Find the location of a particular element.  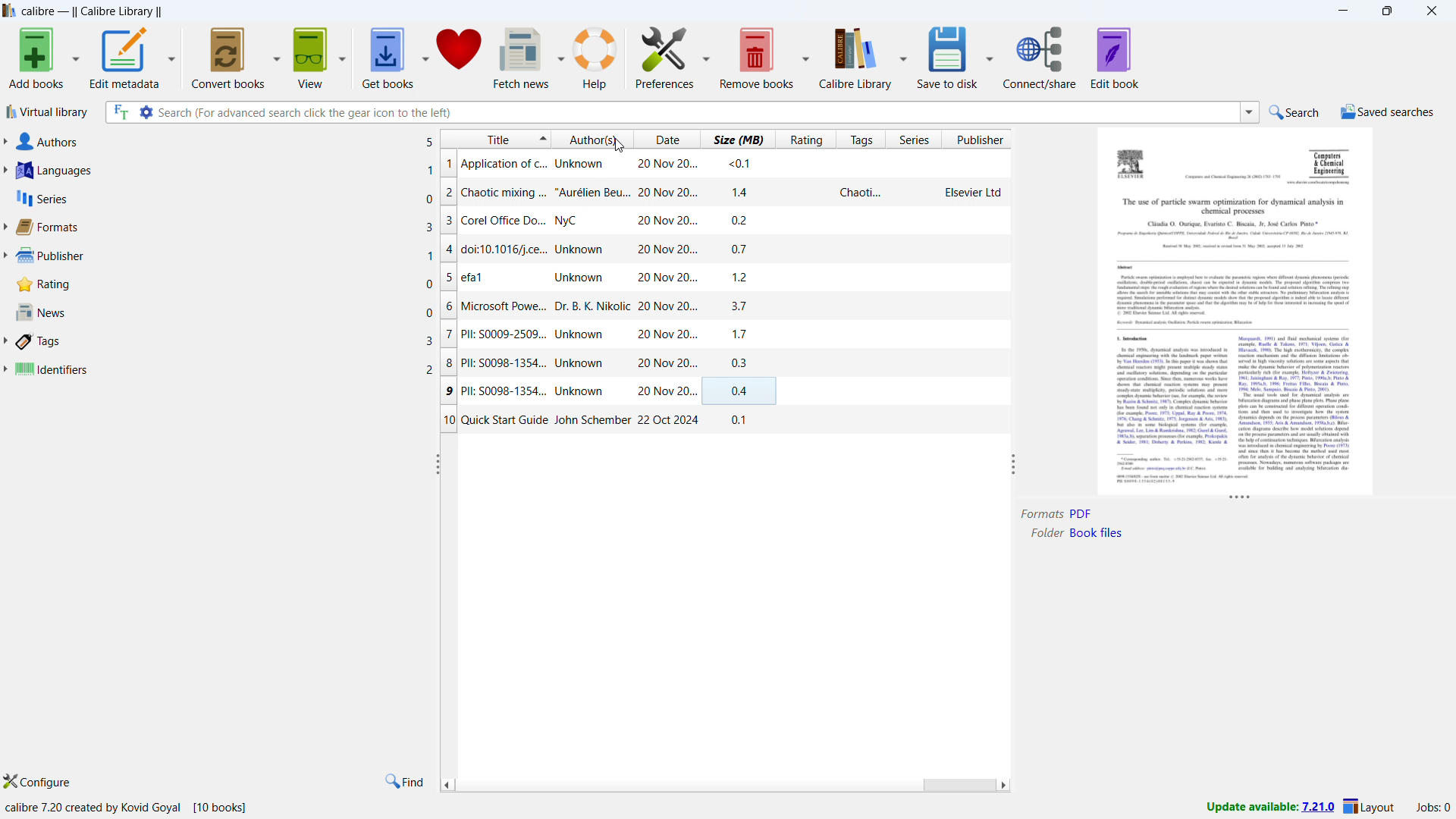

add books options is located at coordinates (75, 57).